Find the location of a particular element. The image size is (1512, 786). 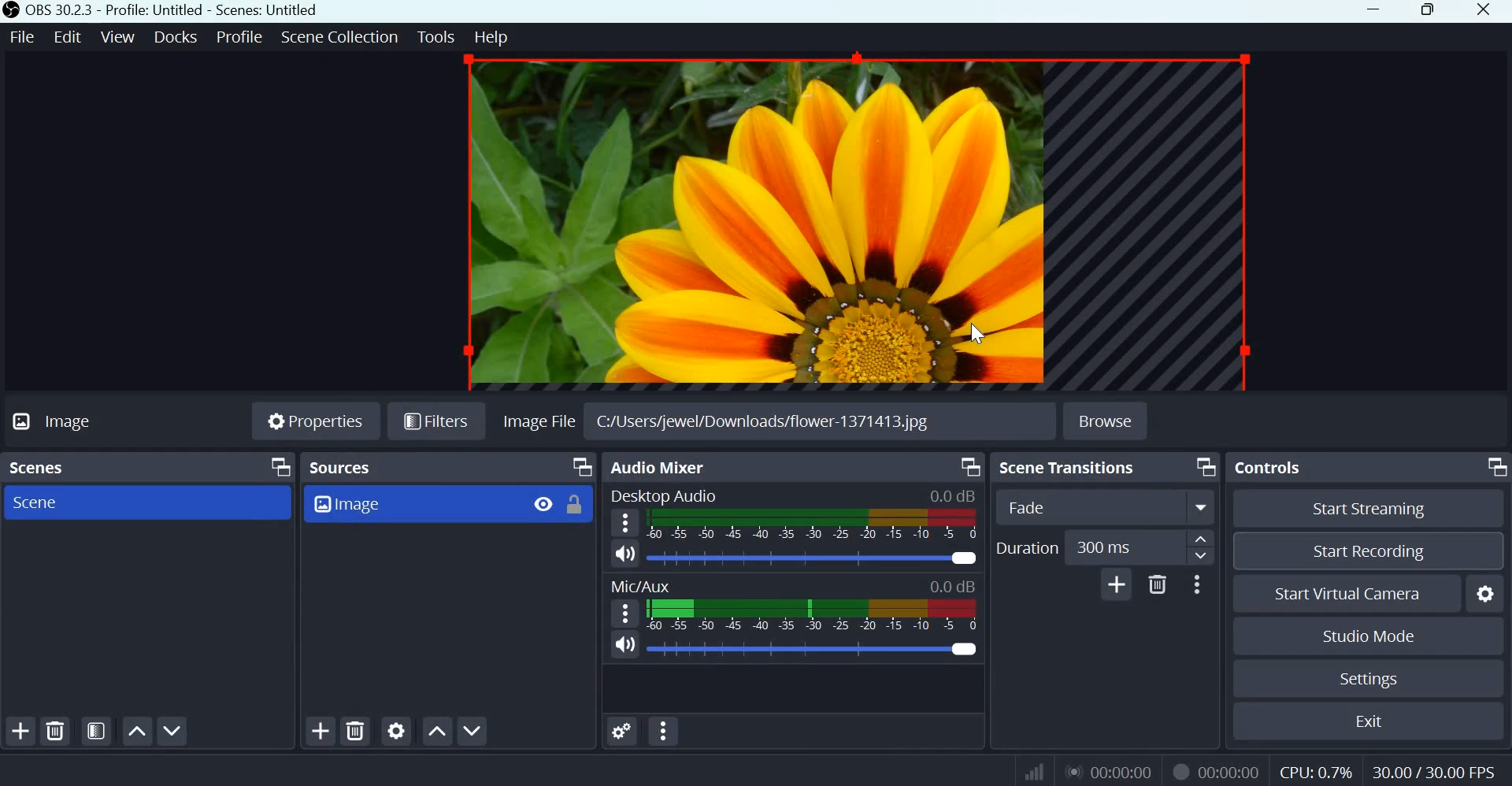

Dock Options icon is located at coordinates (1206, 467).